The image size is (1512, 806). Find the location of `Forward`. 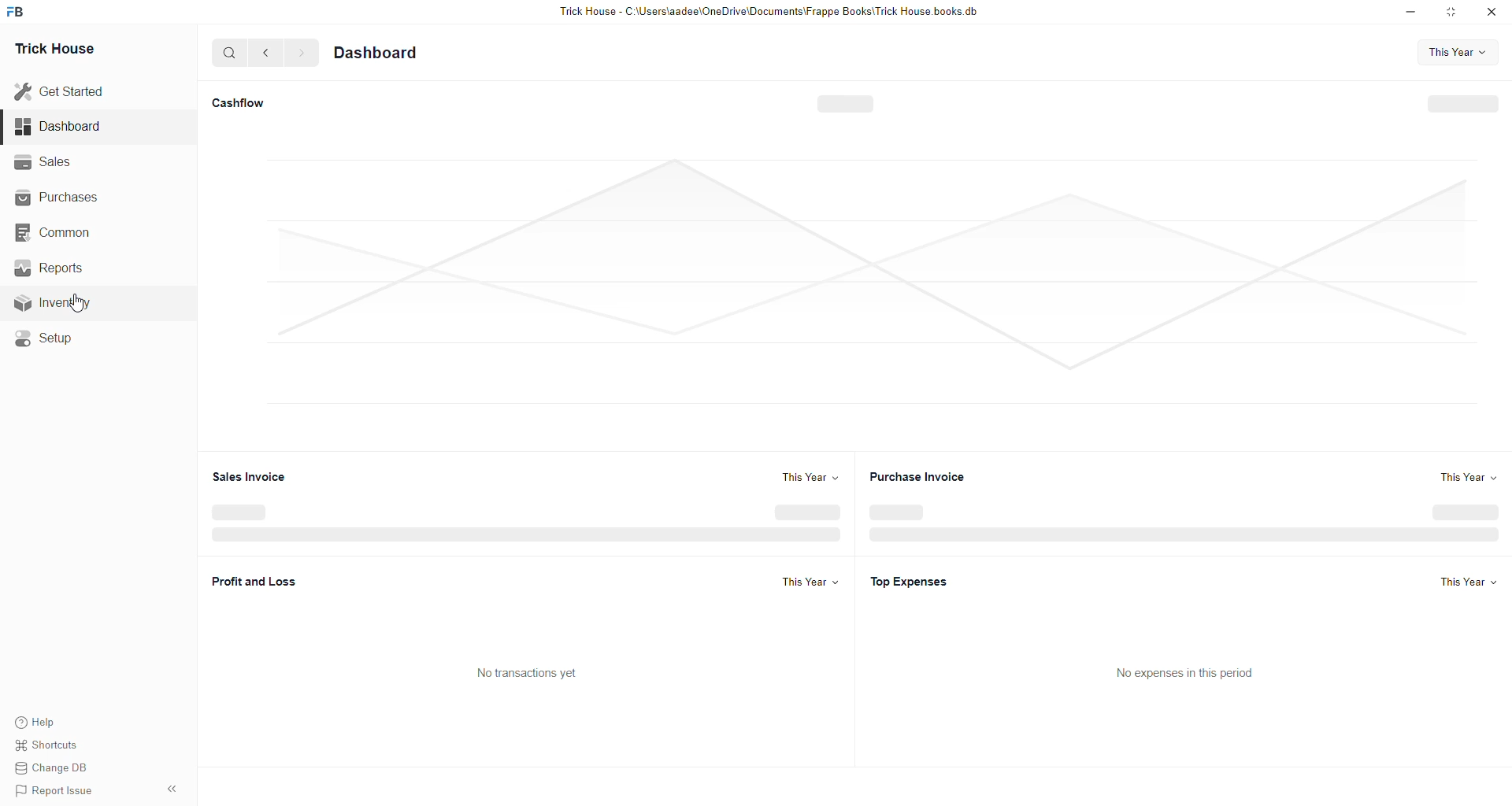

Forward is located at coordinates (304, 54).